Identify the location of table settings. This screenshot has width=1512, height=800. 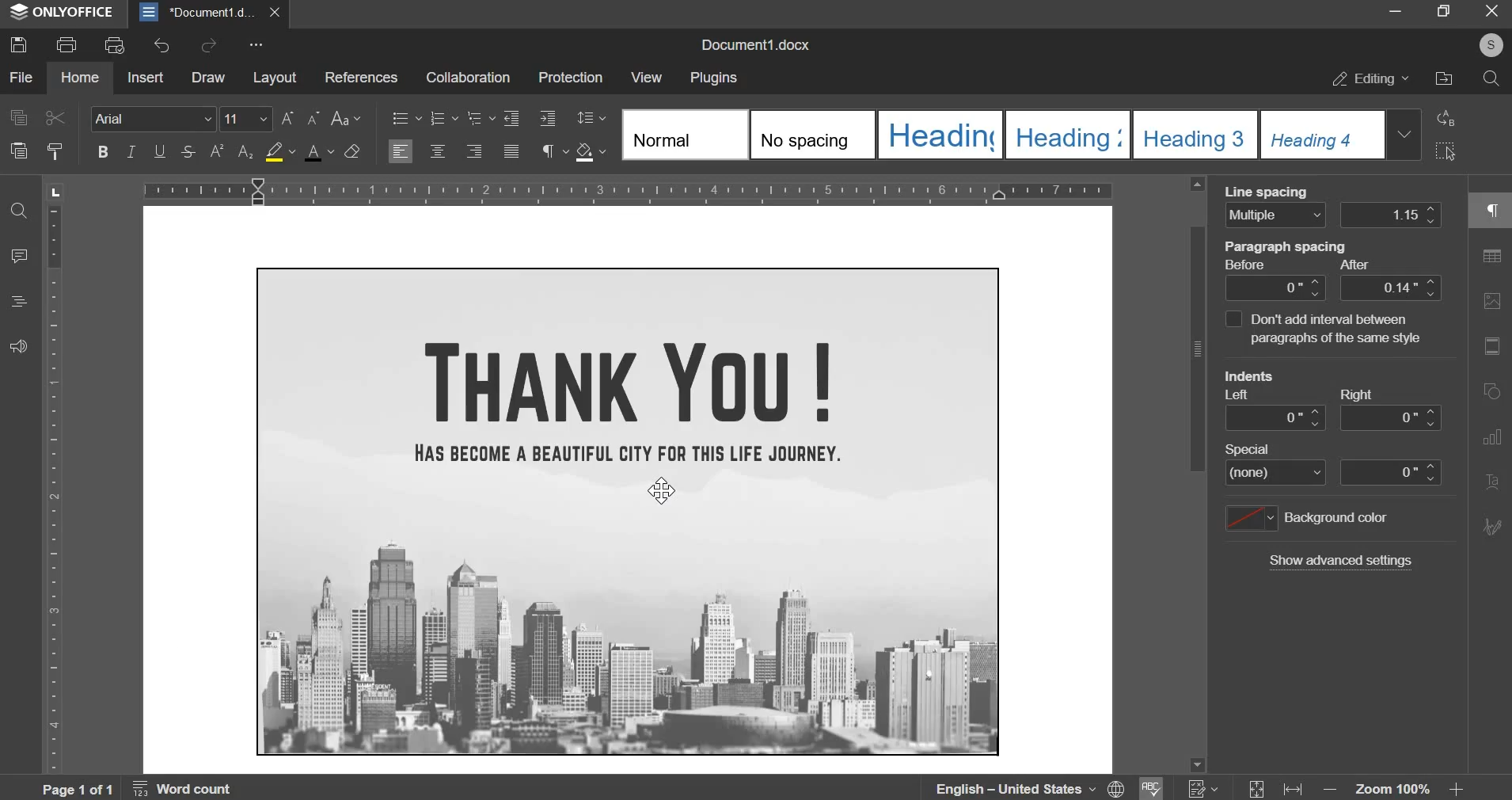
(1493, 256).